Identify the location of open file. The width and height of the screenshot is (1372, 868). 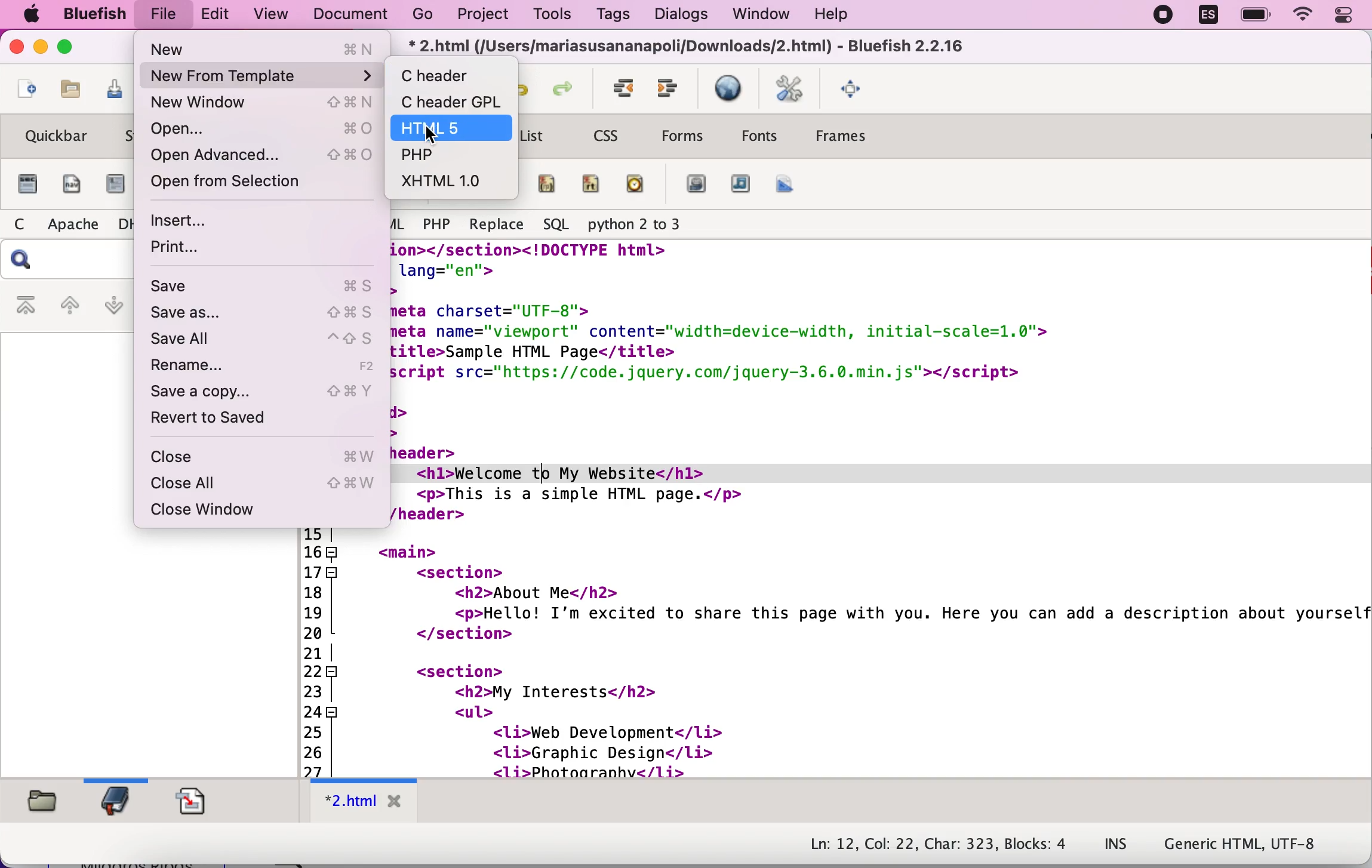
(67, 94).